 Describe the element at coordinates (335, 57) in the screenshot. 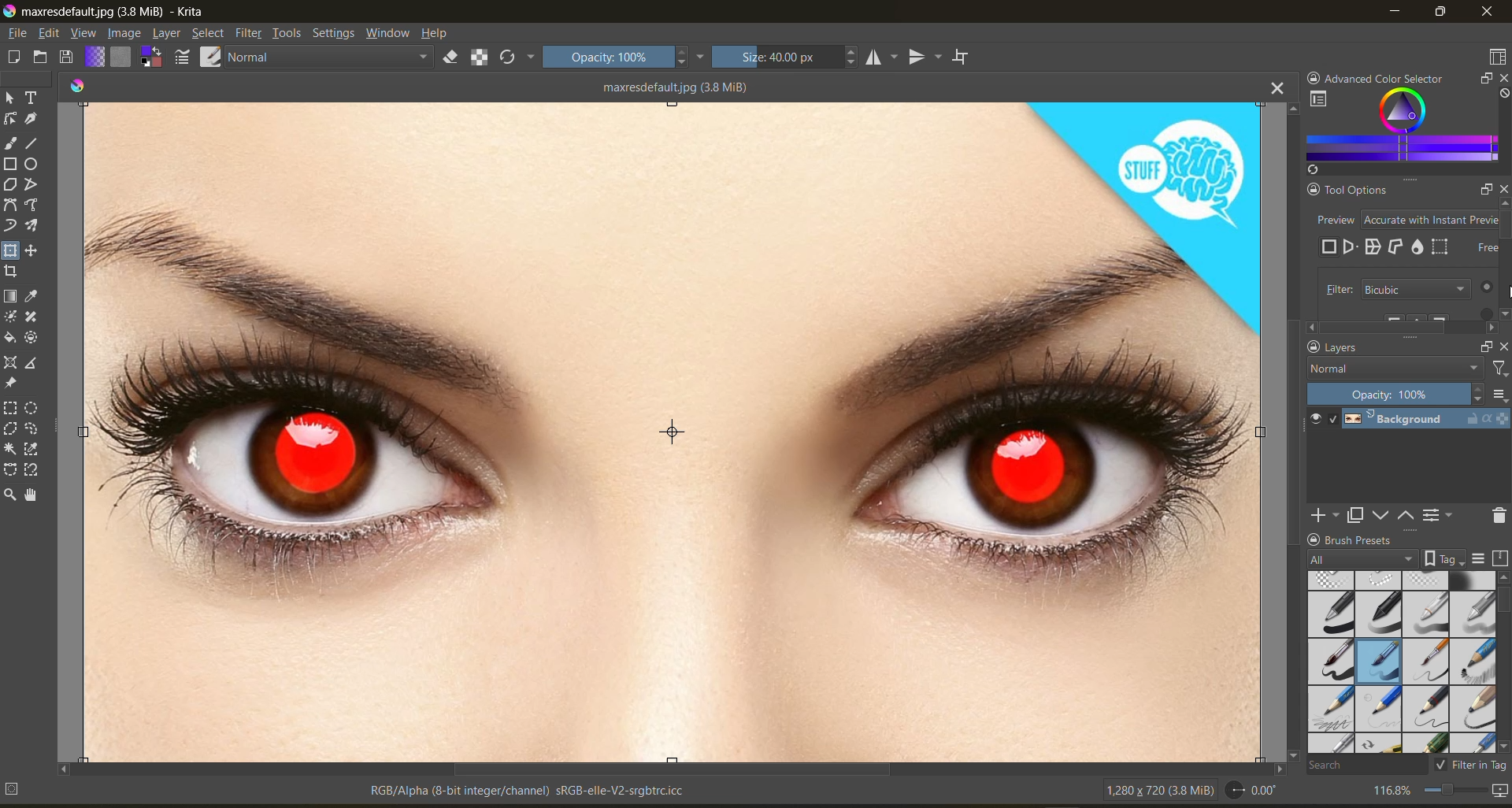

I see `normal` at that location.